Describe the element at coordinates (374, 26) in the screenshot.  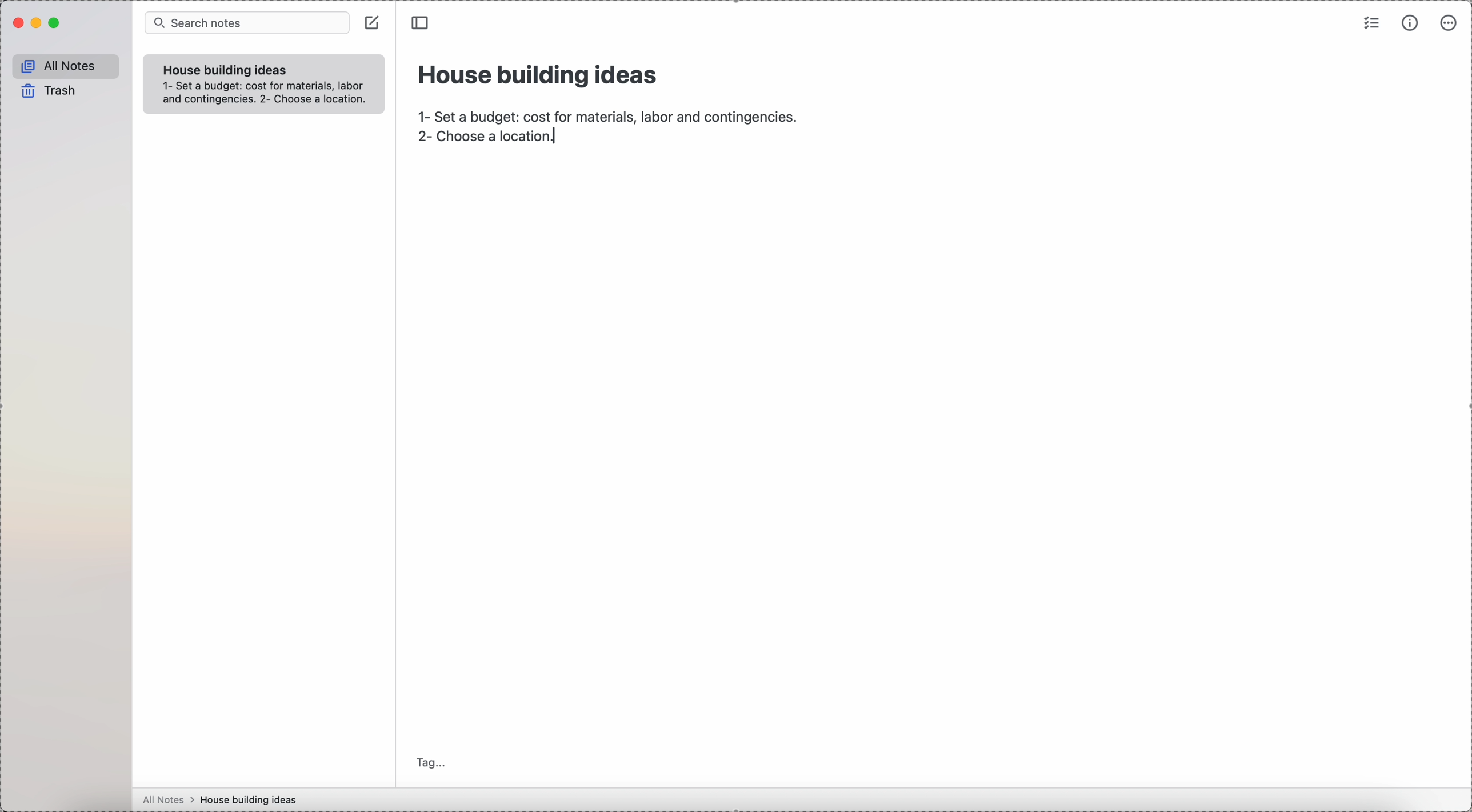
I see `create note` at that location.